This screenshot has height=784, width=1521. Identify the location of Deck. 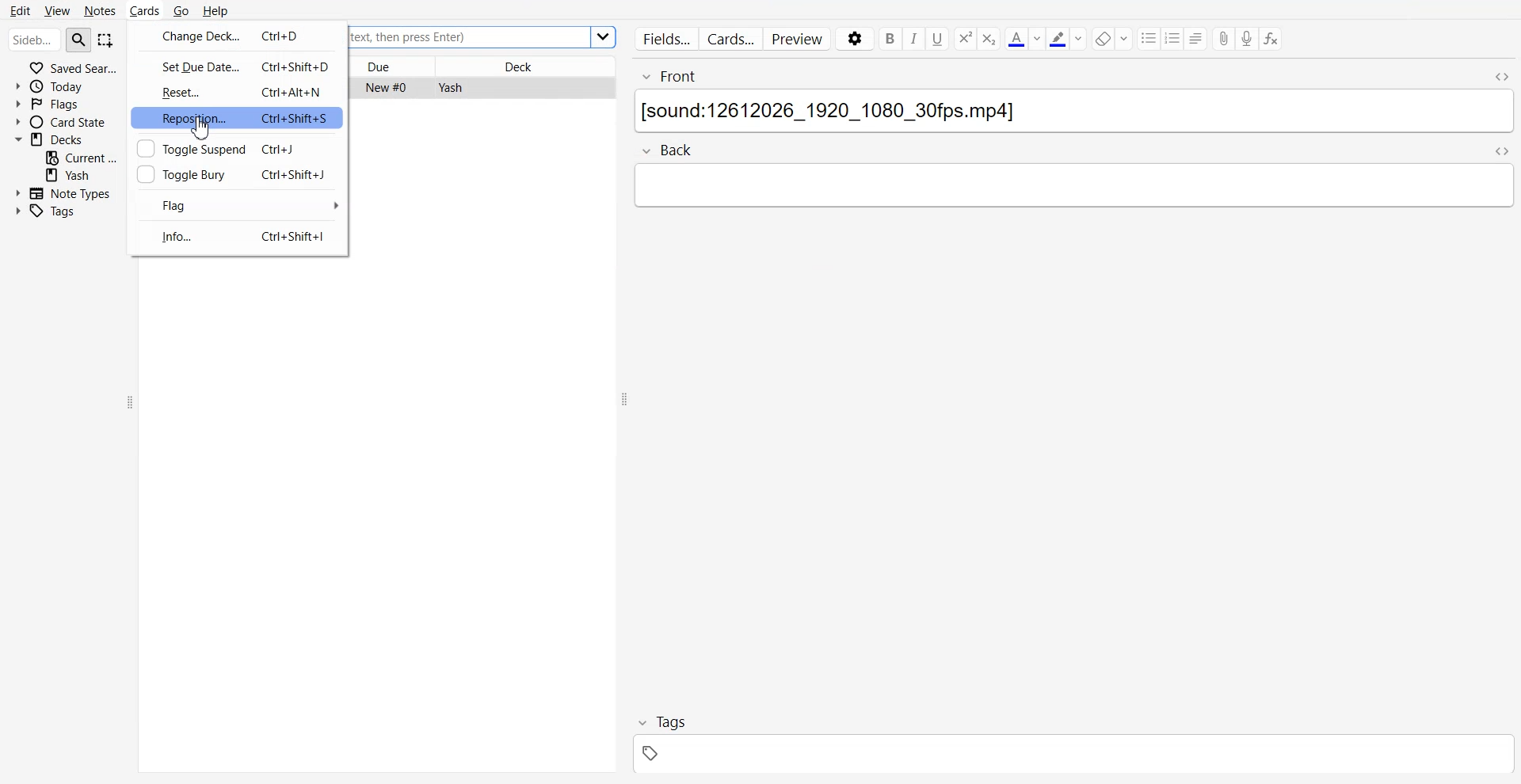
(527, 65).